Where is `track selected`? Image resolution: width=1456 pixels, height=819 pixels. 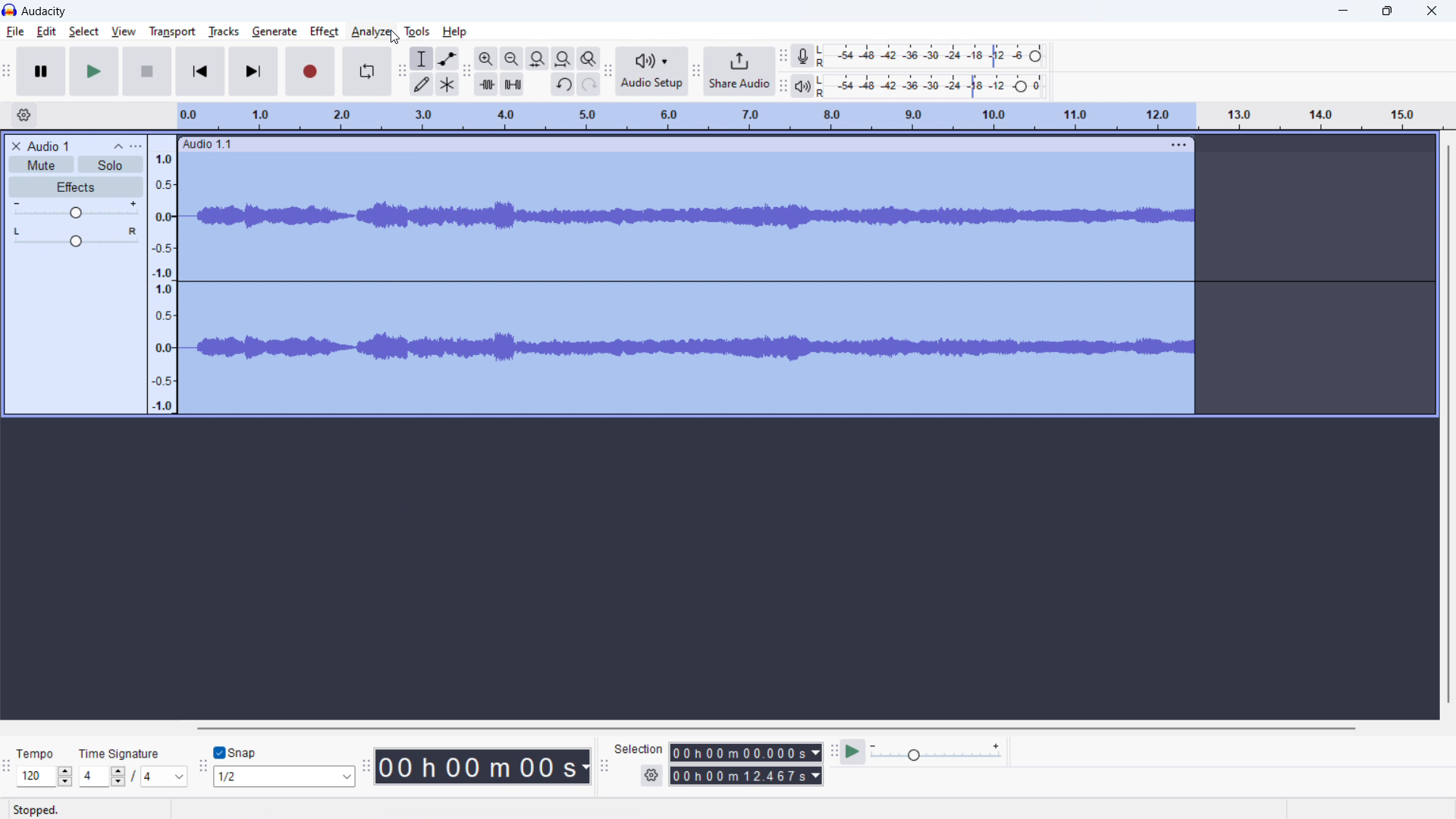 track selected is located at coordinates (685, 286).